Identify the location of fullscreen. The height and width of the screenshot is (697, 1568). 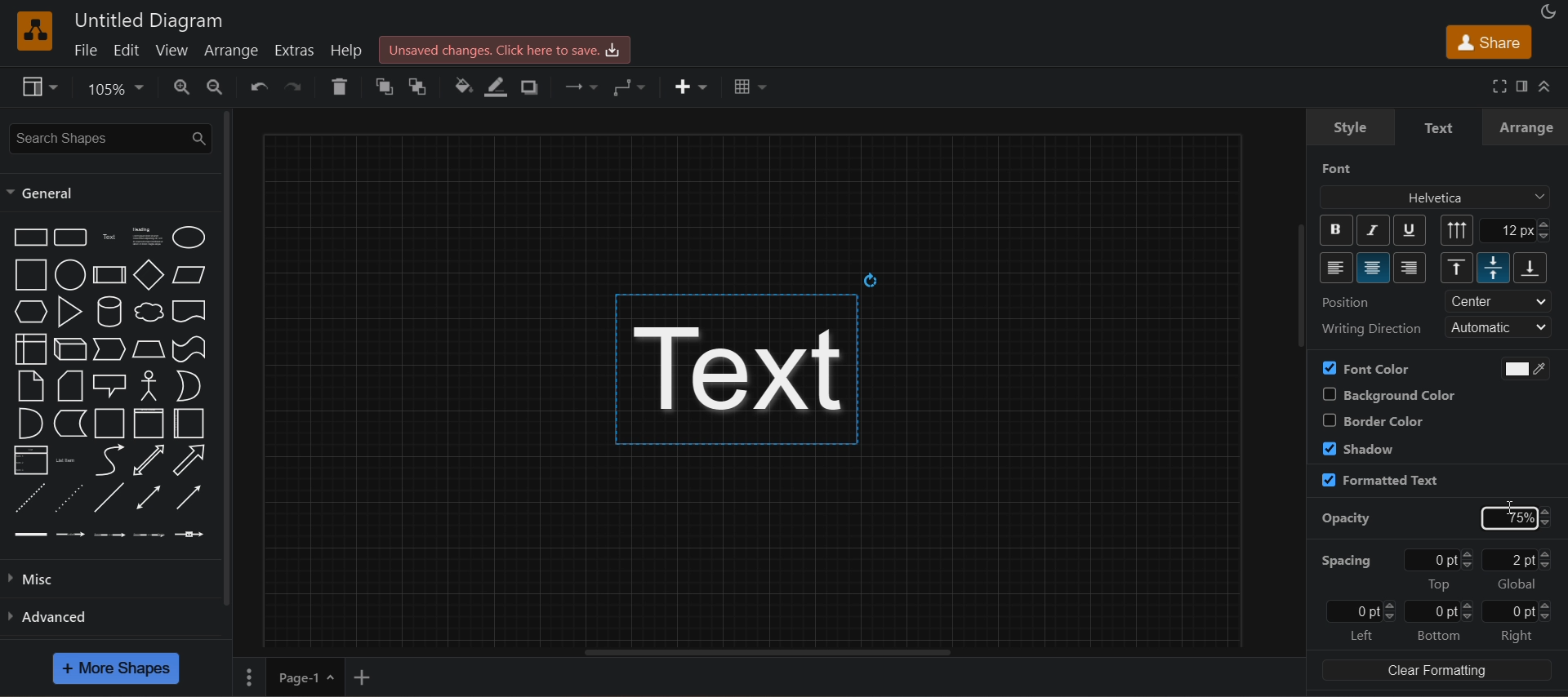
(1497, 85).